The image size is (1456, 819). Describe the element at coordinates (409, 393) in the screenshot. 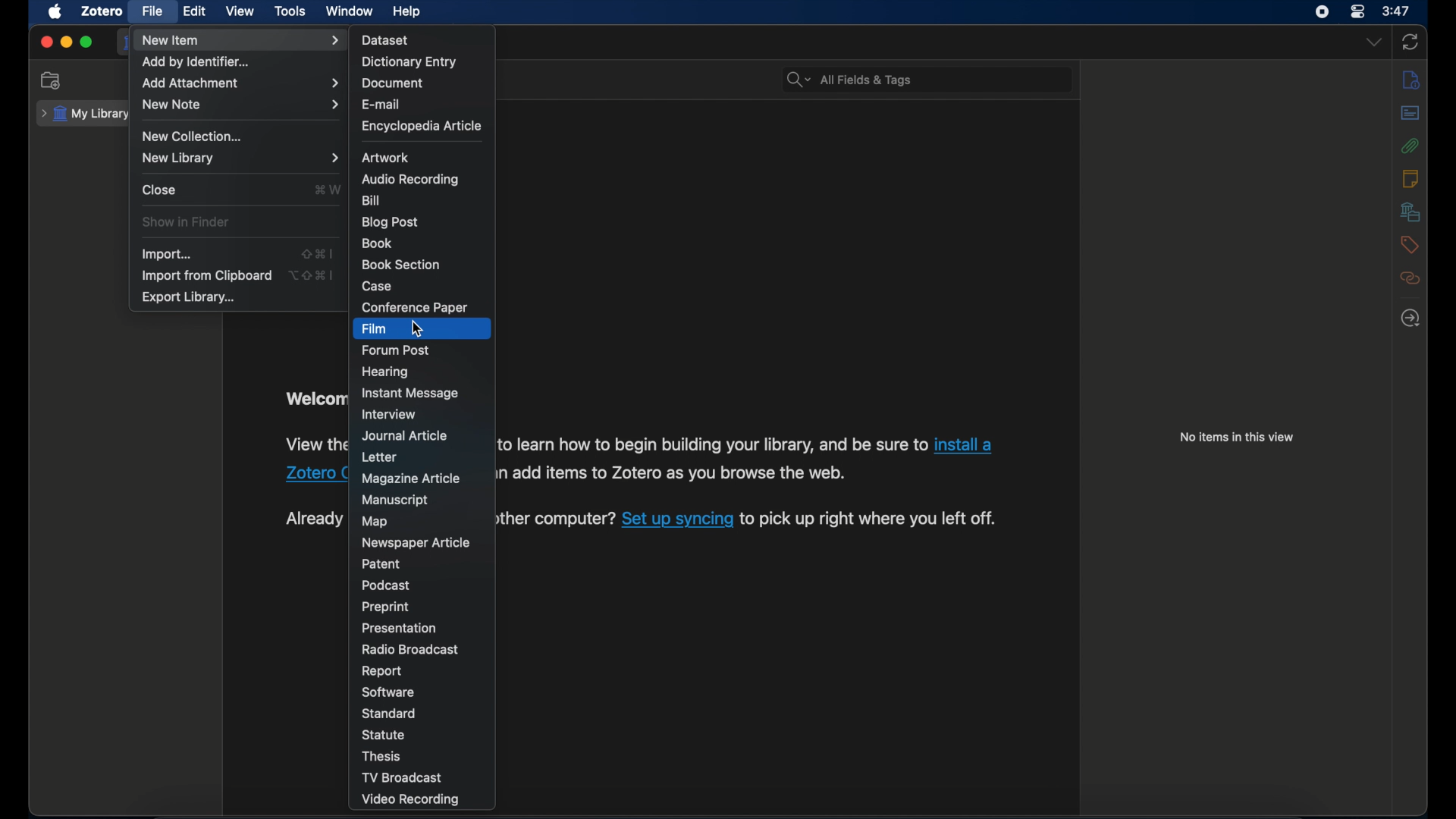

I see `instant message` at that location.